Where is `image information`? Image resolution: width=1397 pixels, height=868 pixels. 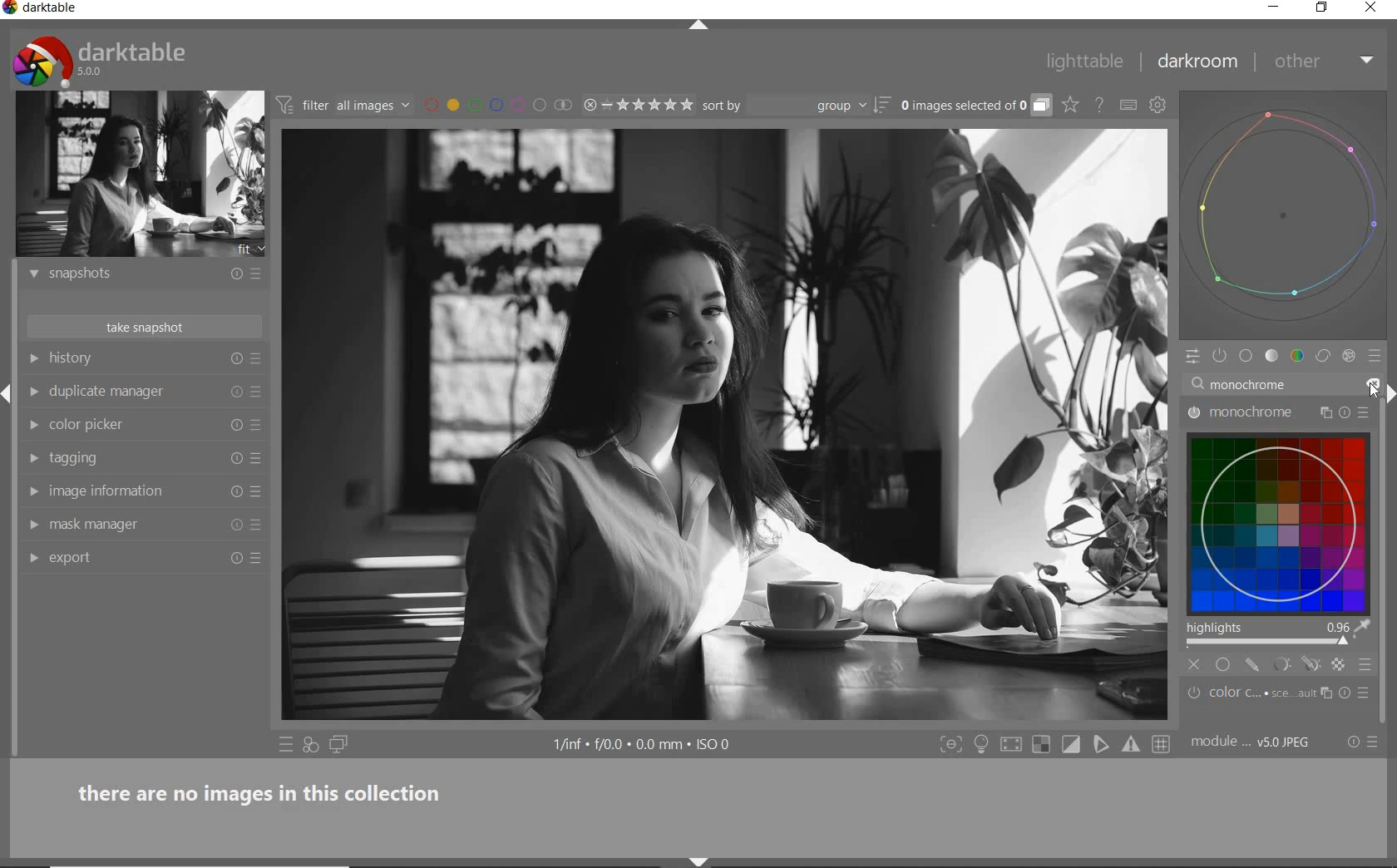 image information is located at coordinates (132, 491).